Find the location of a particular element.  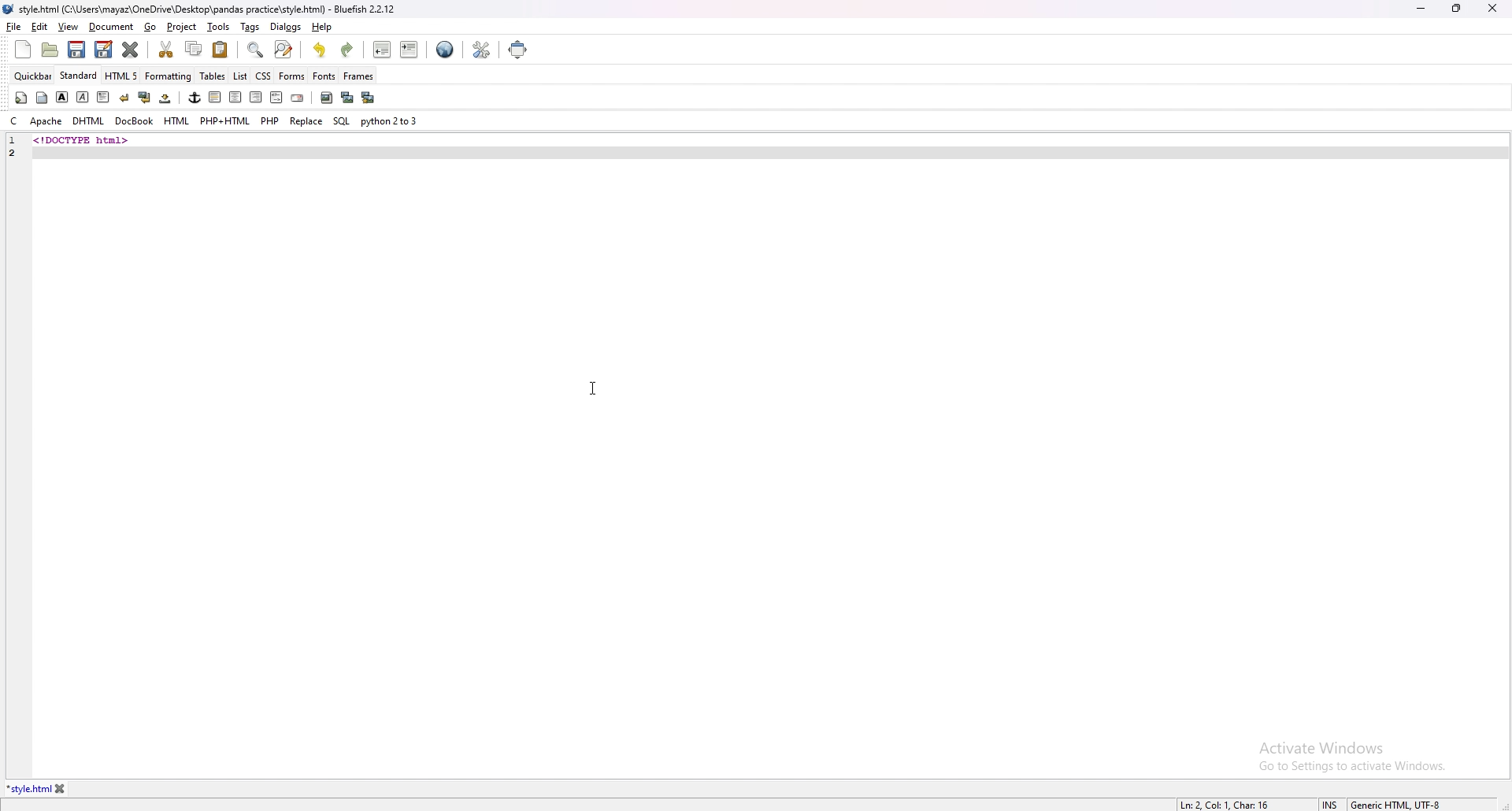

save is located at coordinates (77, 50).